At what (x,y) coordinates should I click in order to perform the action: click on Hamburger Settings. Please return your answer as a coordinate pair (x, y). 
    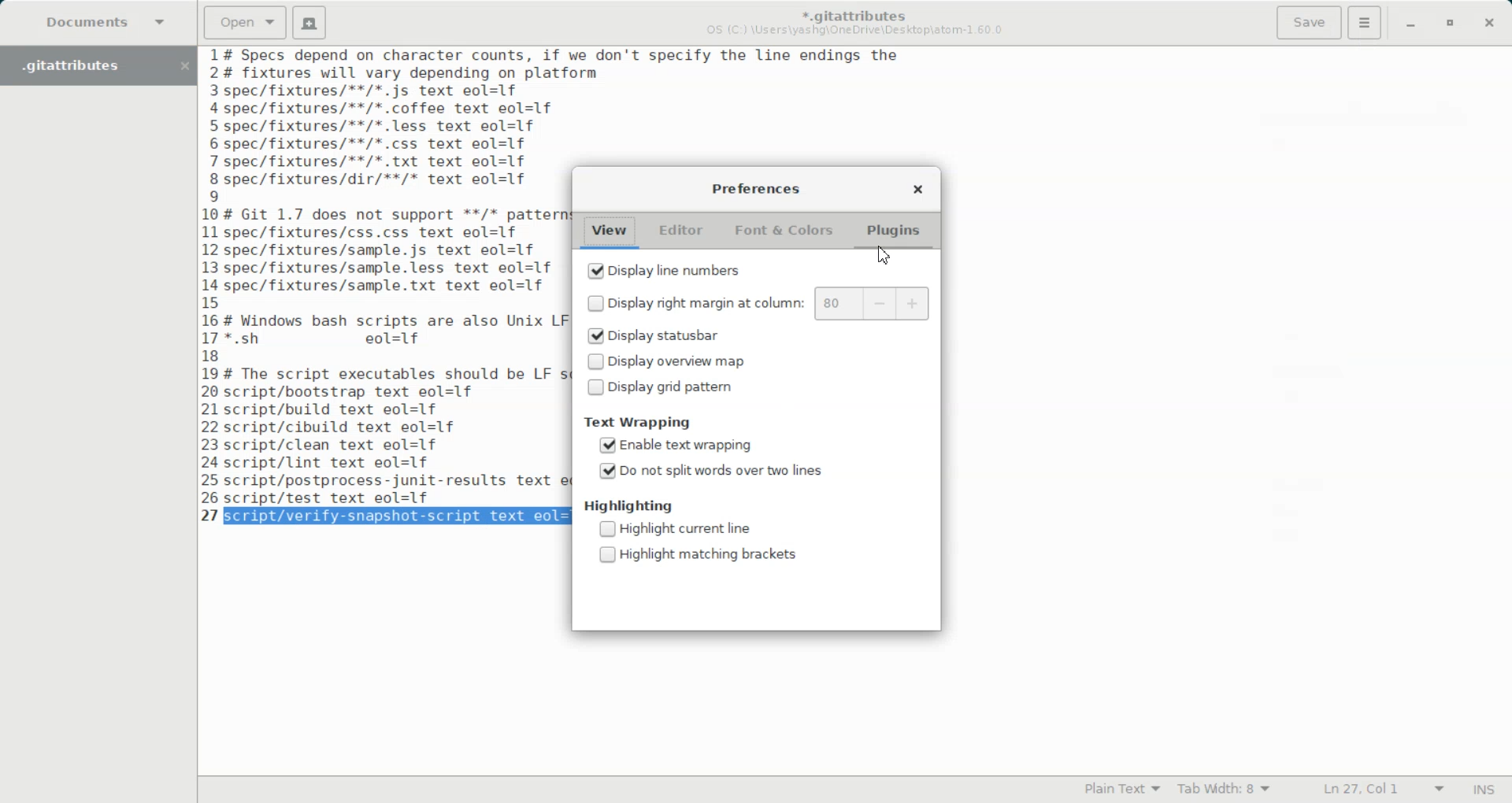
    Looking at the image, I should click on (1365, 22).